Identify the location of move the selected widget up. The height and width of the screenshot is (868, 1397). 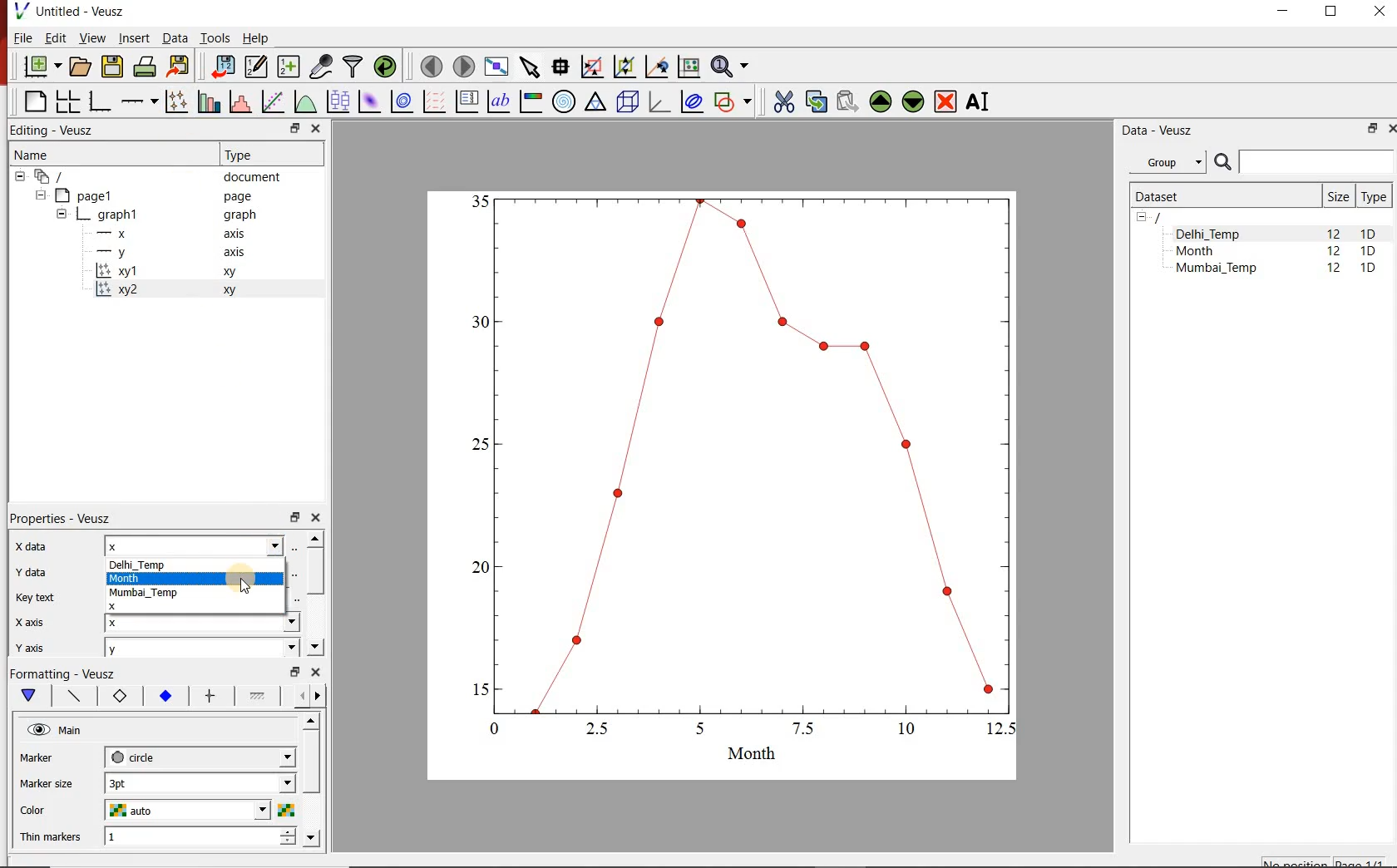
(880, 101).